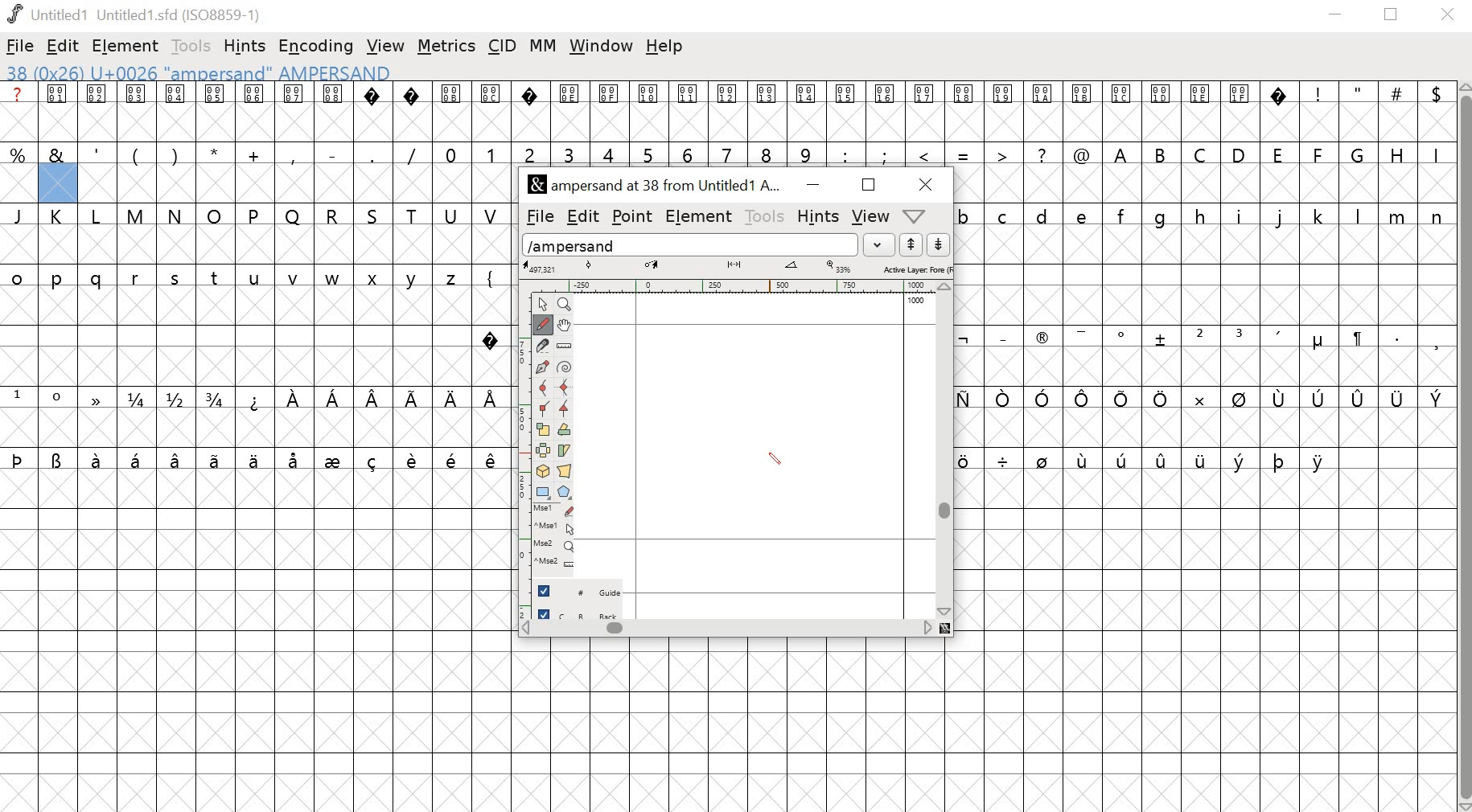 The height and width of the screenshot is (812, 1472). I want to click on symbol, so click(1161, 398).